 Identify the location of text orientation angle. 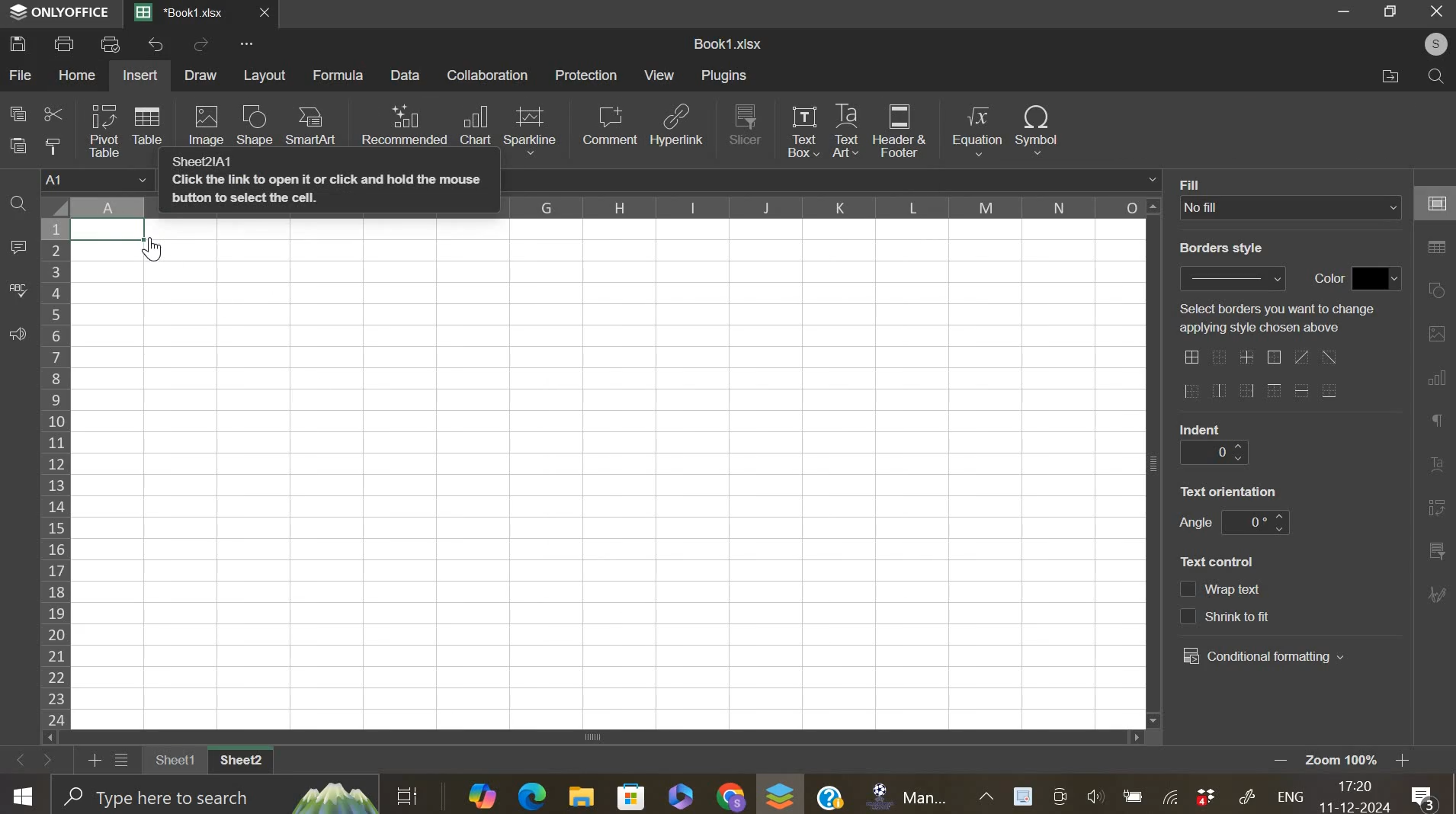
(1255, 522).